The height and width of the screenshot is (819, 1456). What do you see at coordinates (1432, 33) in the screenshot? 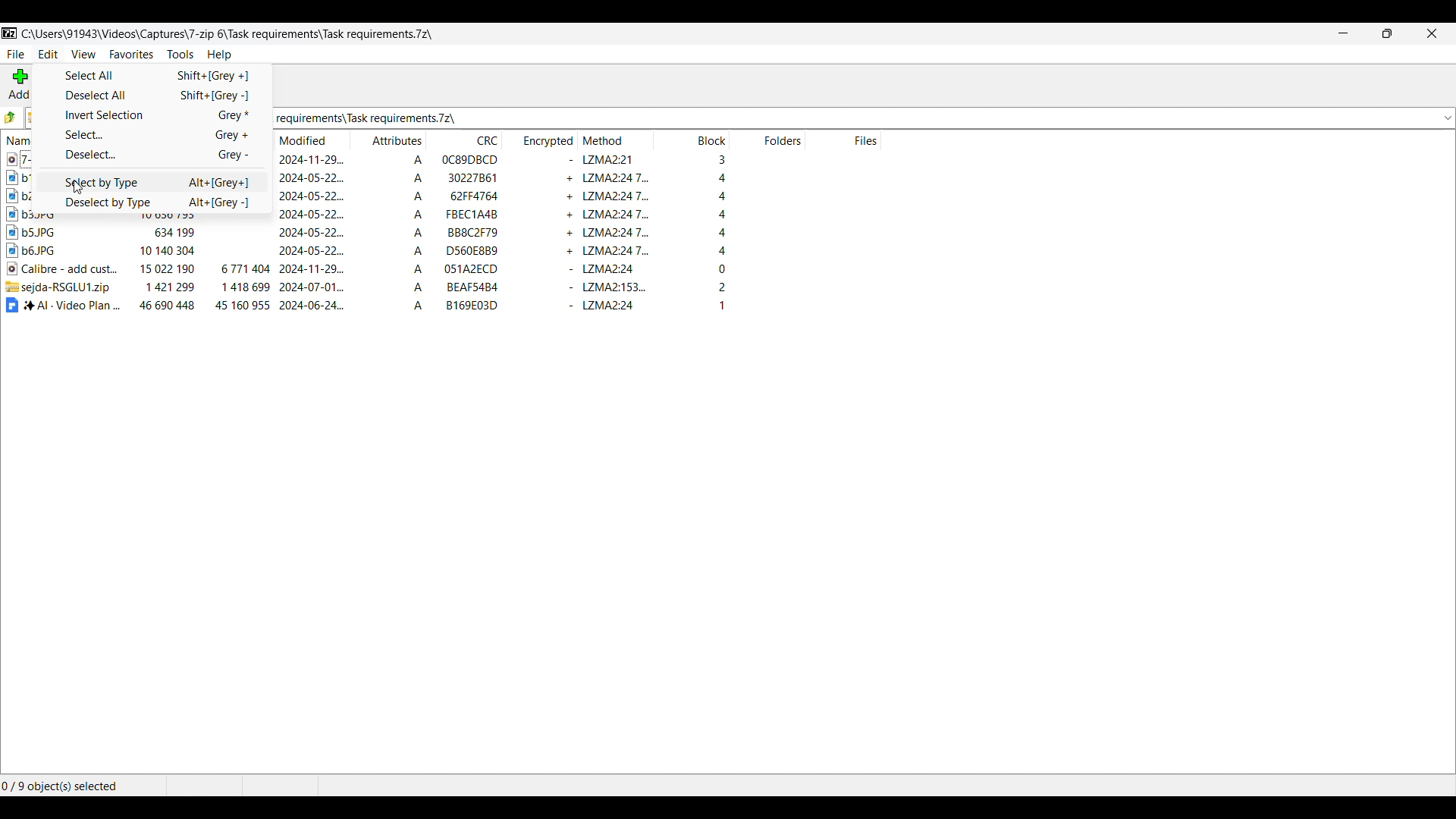
I see `Close interface` at bounding box center [1432, 33].